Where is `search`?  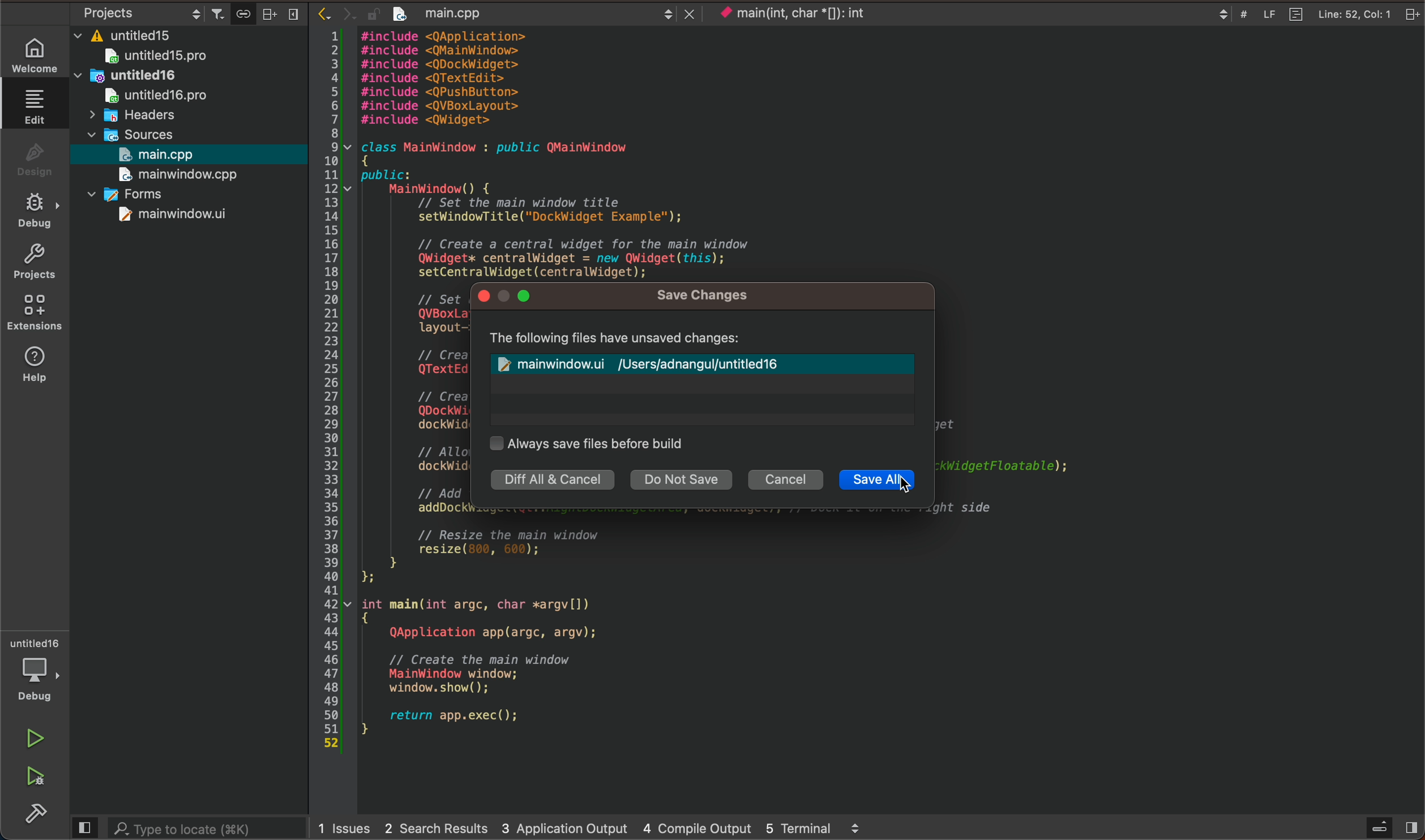 search is located at coordinates (201, 828).